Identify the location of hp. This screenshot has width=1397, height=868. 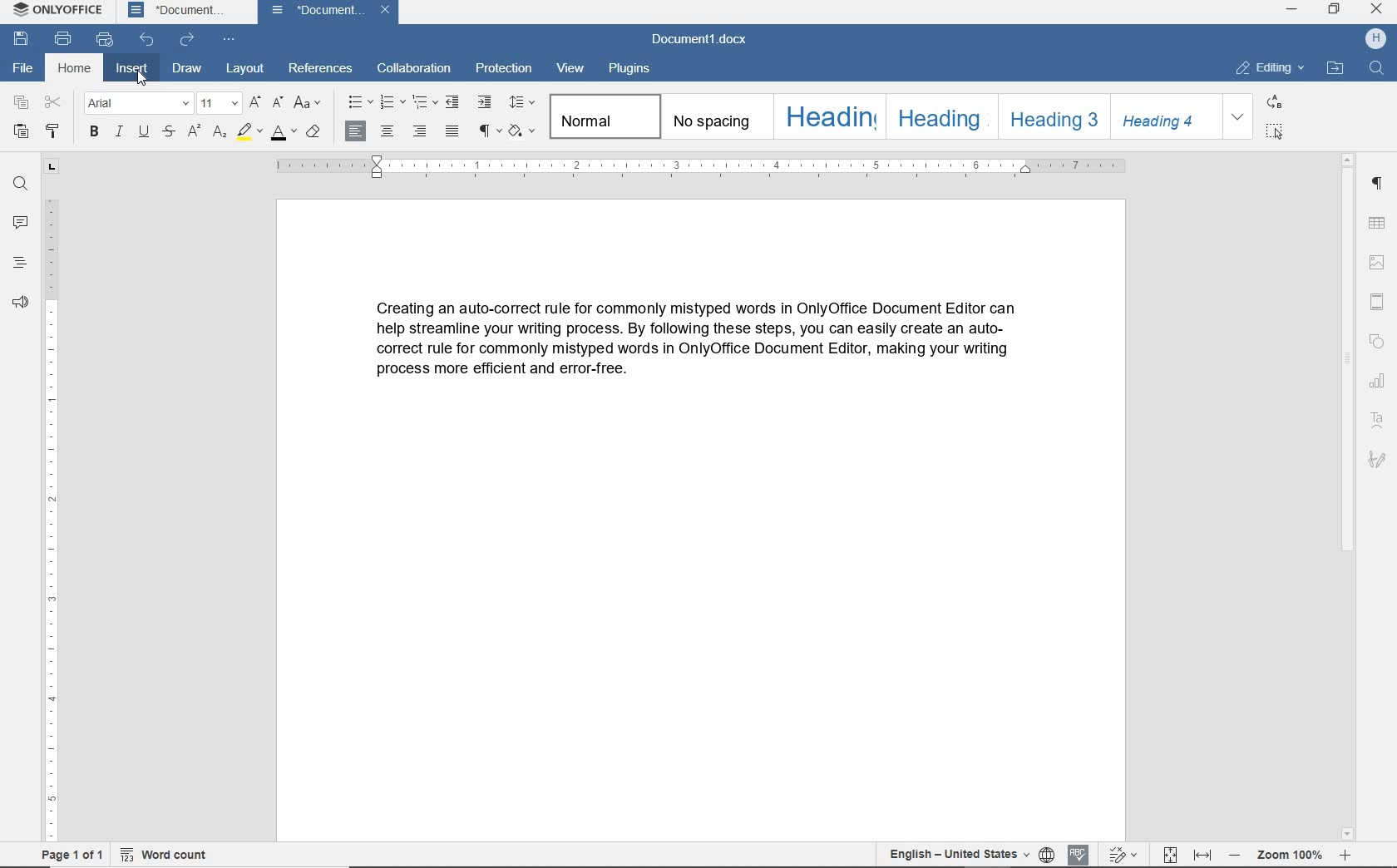
(1374, 37).